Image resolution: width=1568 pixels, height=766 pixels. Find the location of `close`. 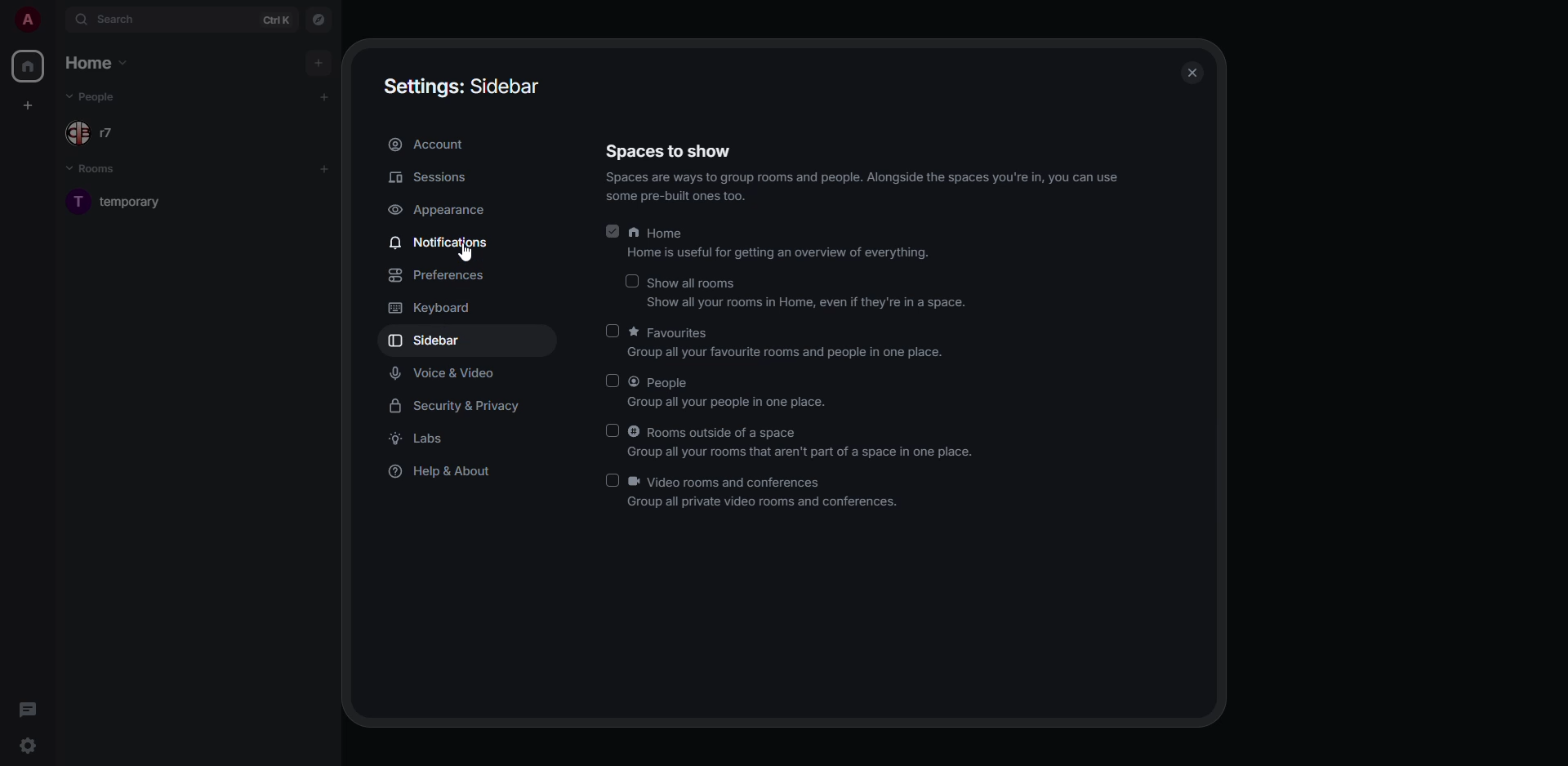

close is located at coordinates (1192, 72).